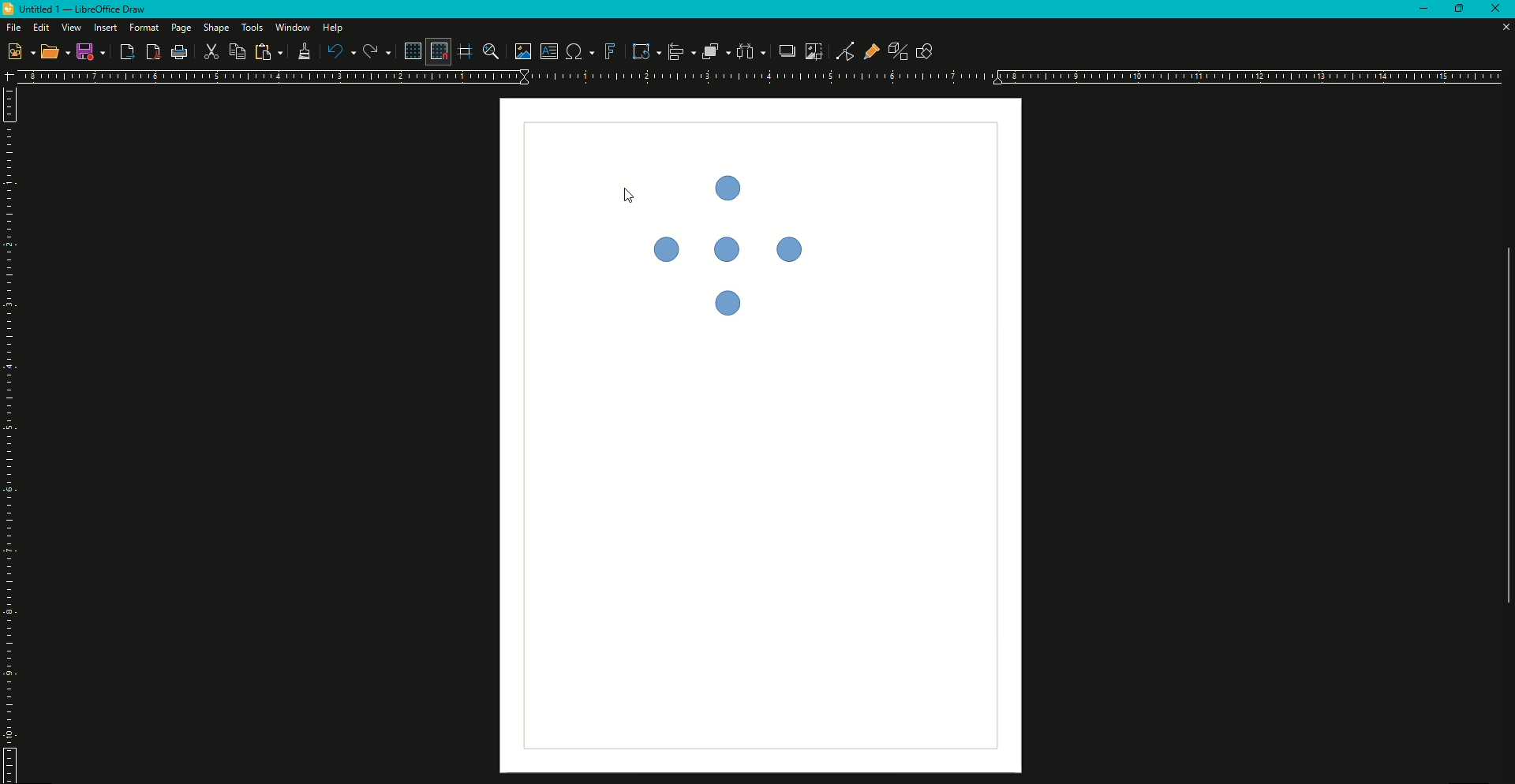  What do you see at coordinates (928, 52) in the screenshot?
I see `Show draw function` at bounding box center [928, 52].